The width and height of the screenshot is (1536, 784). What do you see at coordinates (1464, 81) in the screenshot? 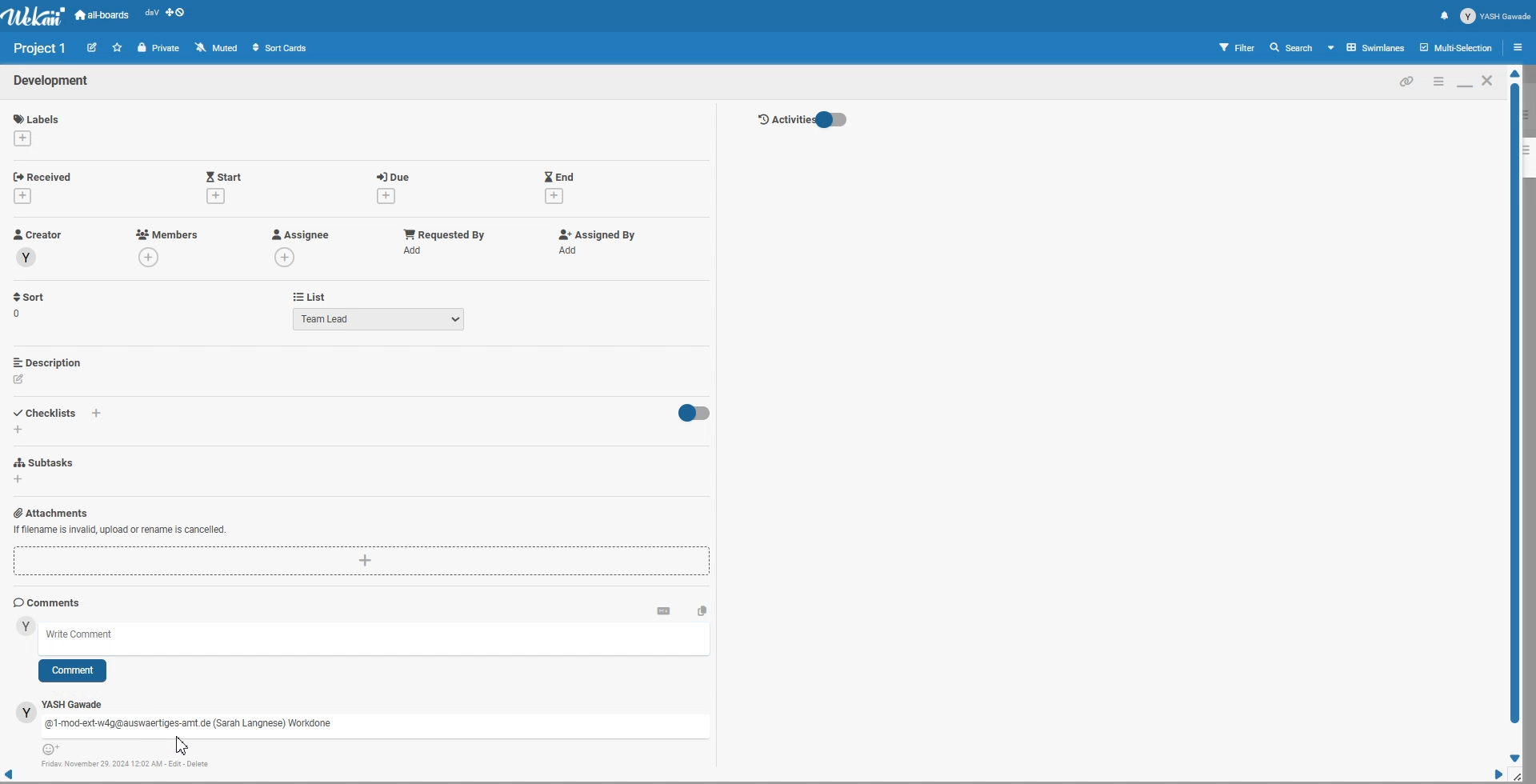
I see `Maximize` at bounding box center [1464, 81].